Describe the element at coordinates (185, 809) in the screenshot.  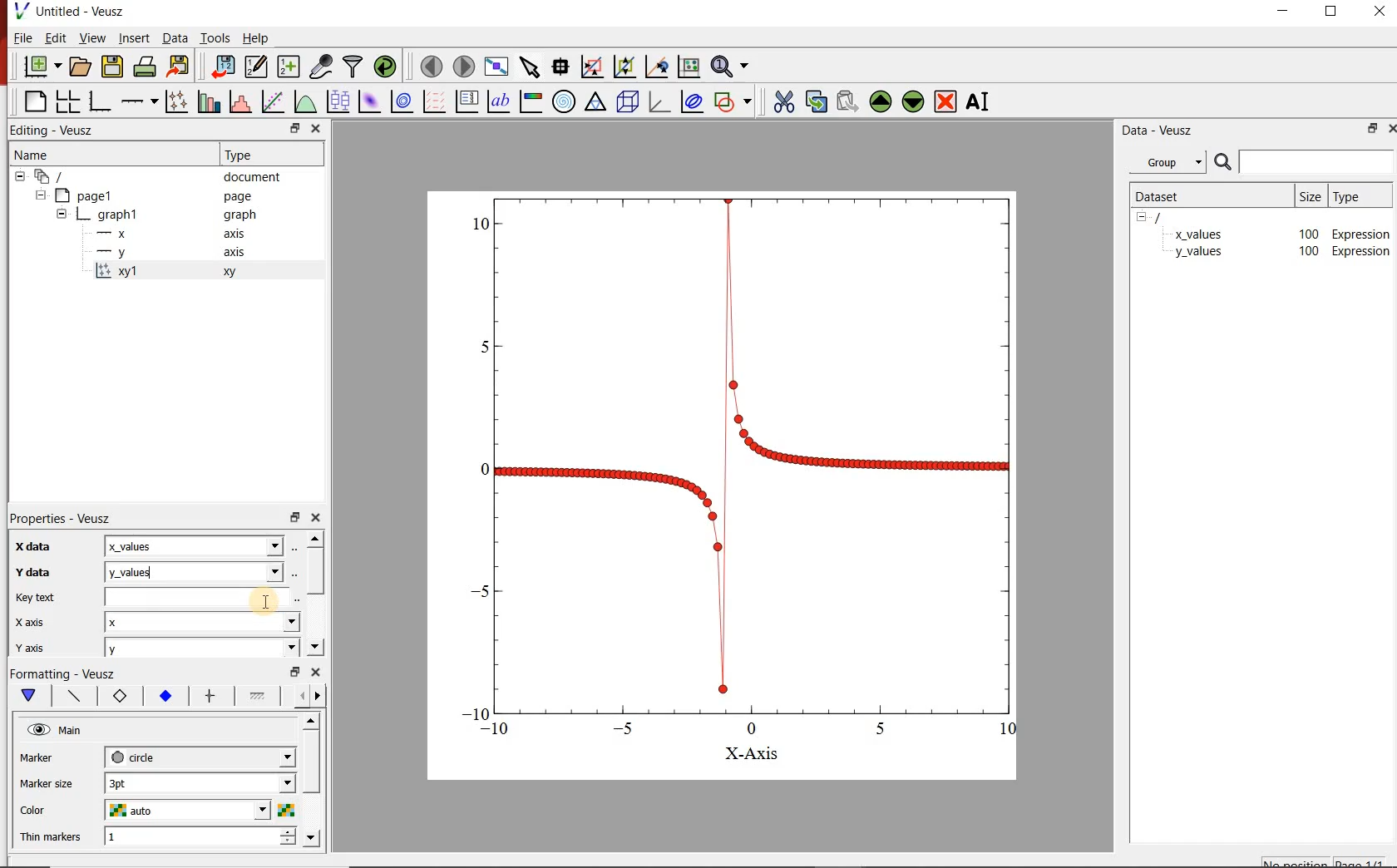
I see `auto` at that location.